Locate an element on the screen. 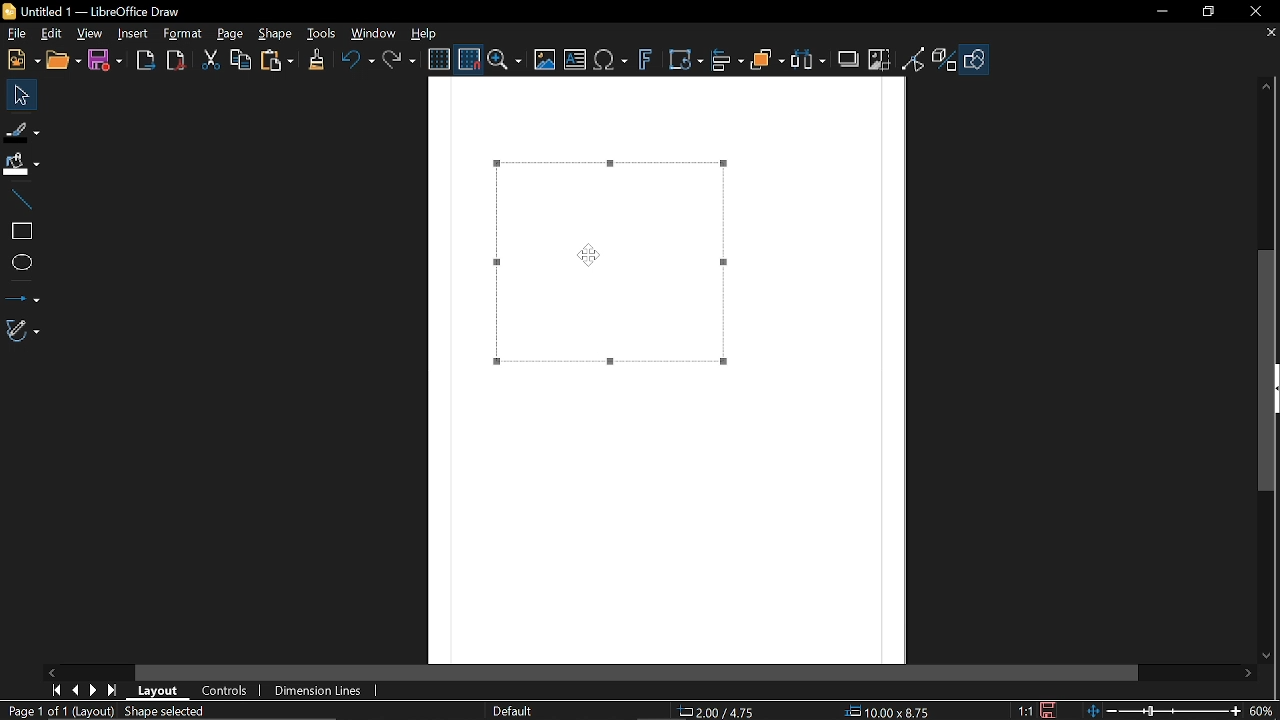  Vertical scrollbar is located at coordinates (1271, 371).